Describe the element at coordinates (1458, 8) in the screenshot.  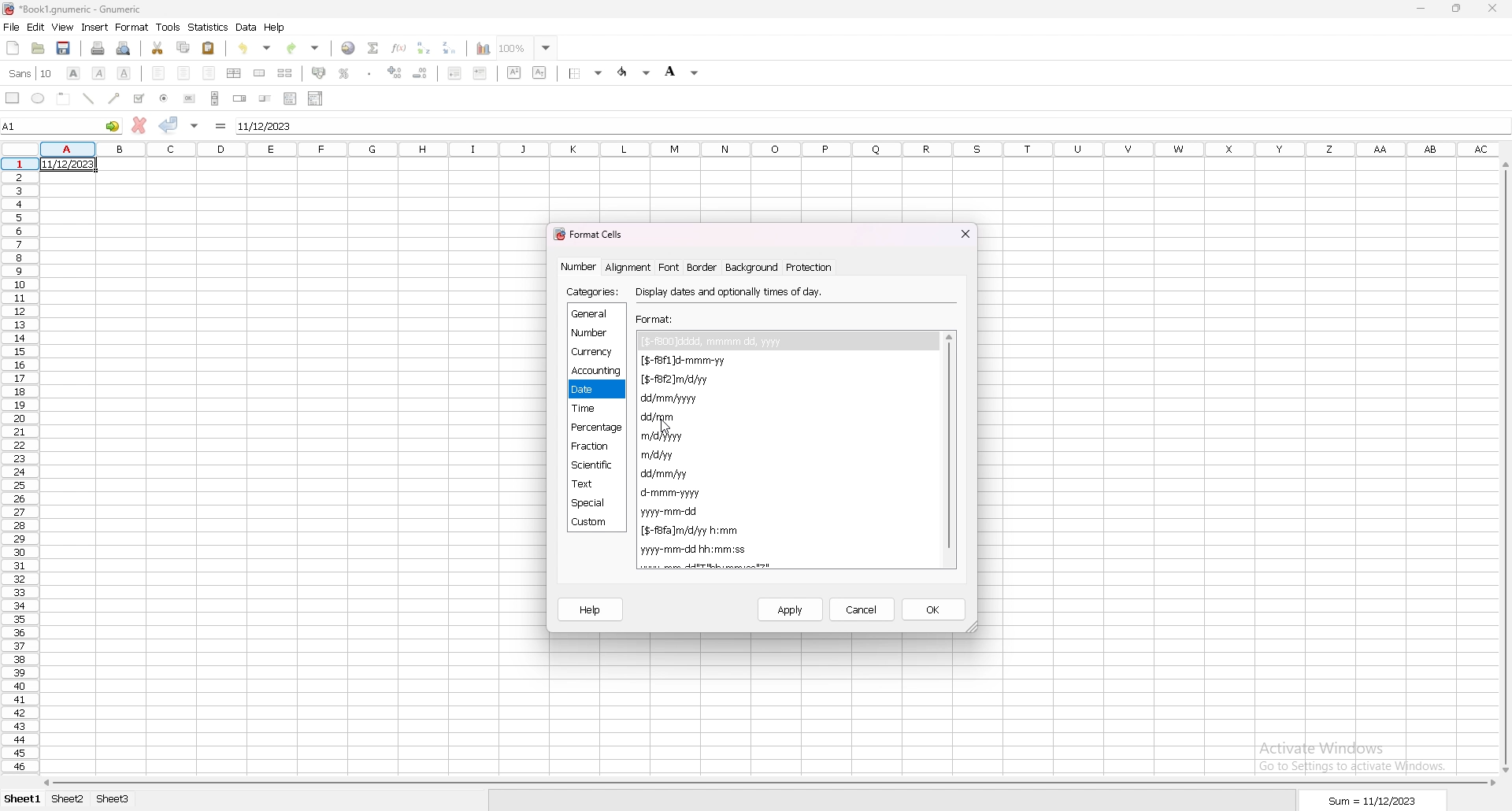
I see `resize` at that location.